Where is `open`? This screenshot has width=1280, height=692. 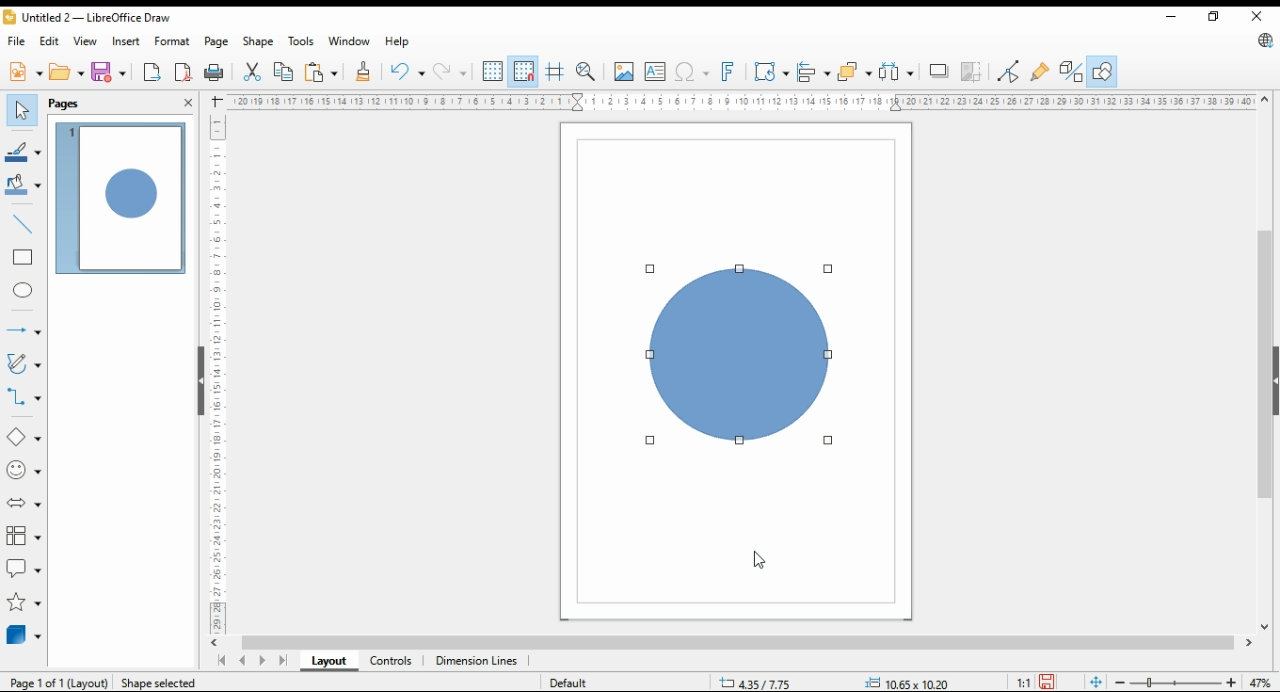
open is located at coordinates (66, 71).